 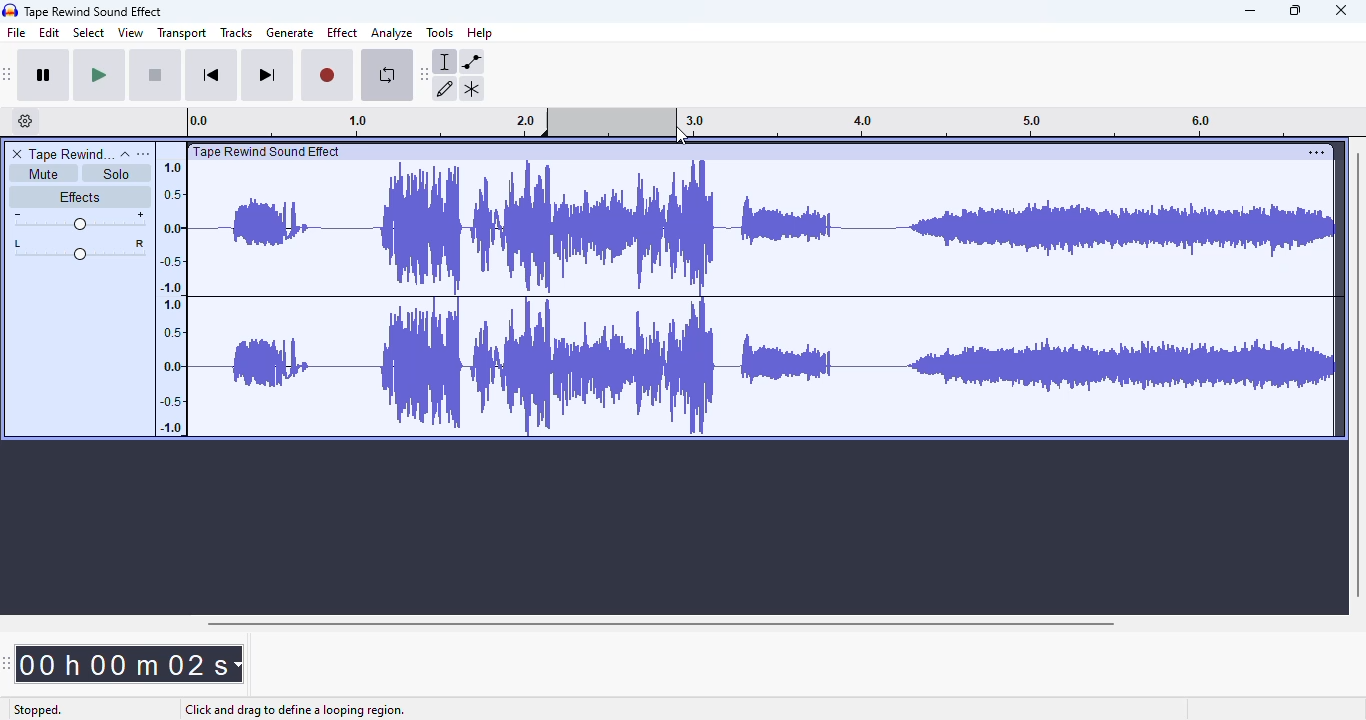 What do you see at coordinates (17, 153) in the screenshot?
I see `delete track` at bounding box center [17, 153].